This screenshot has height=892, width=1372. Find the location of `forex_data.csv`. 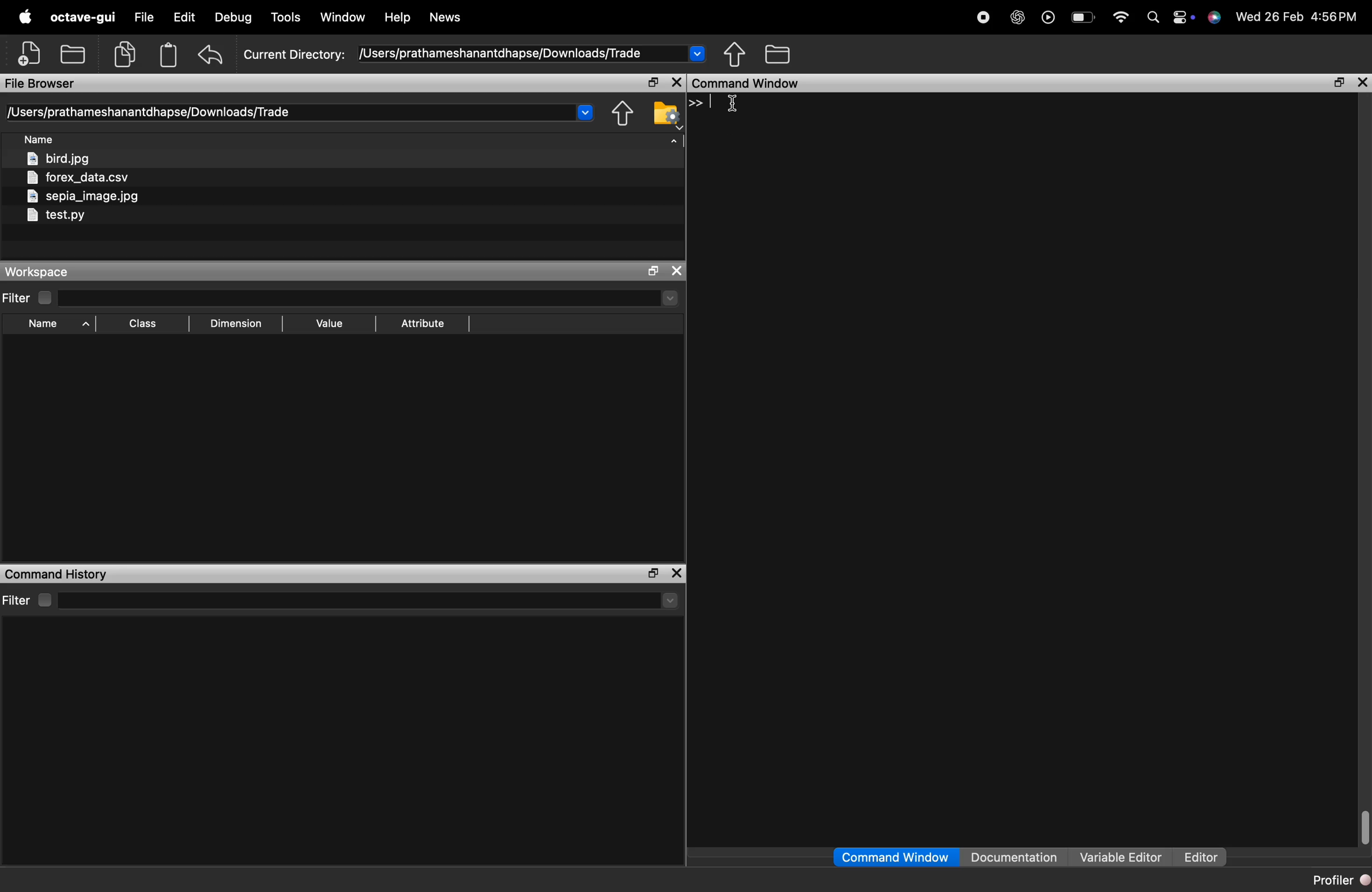

forex_data.csv is located at coordinates (79, 177).